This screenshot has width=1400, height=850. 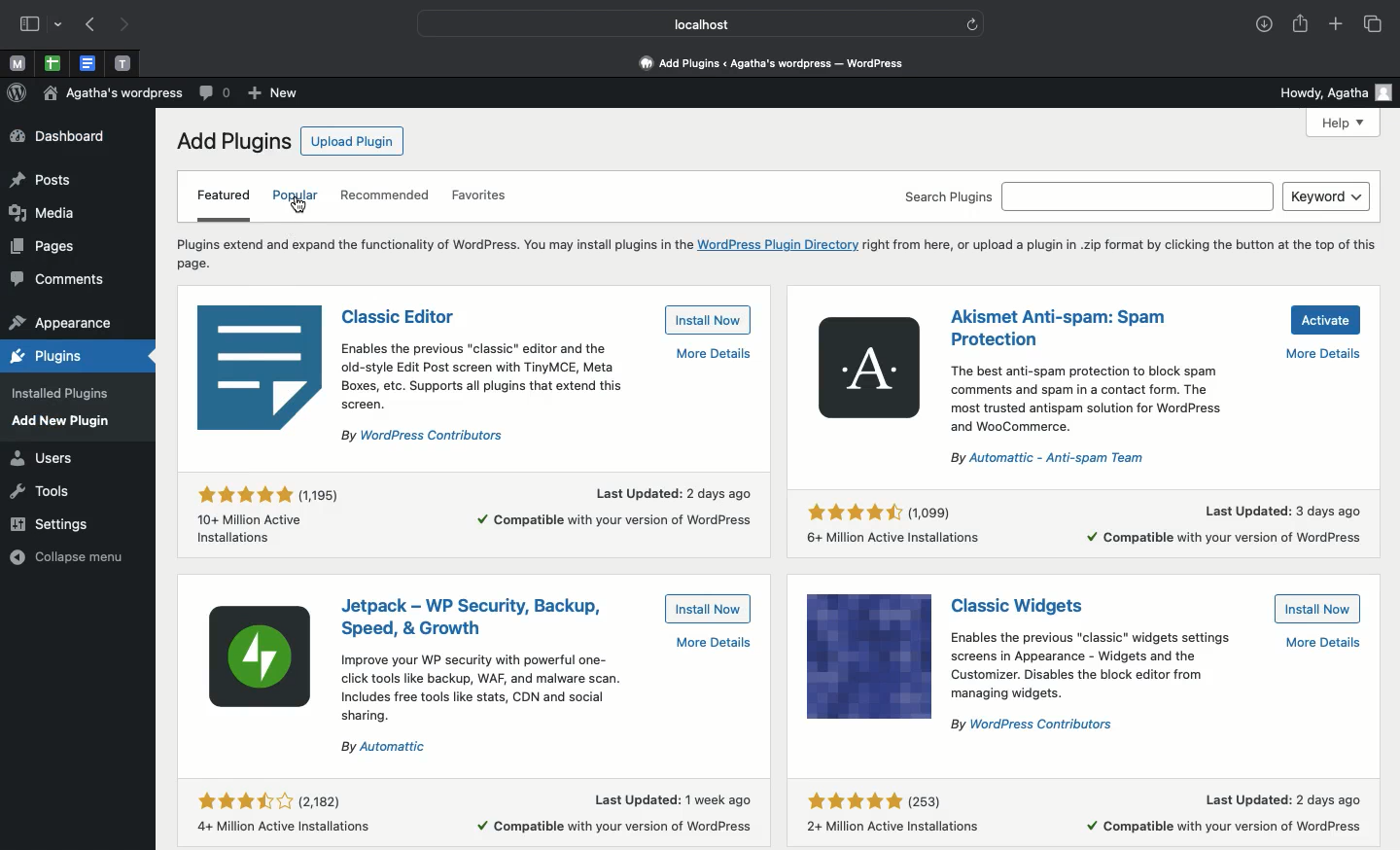 What do you see at coordinates (125, 63) in the screenshot?
I see `Pinned tabs` at bounding box center [125, 63].